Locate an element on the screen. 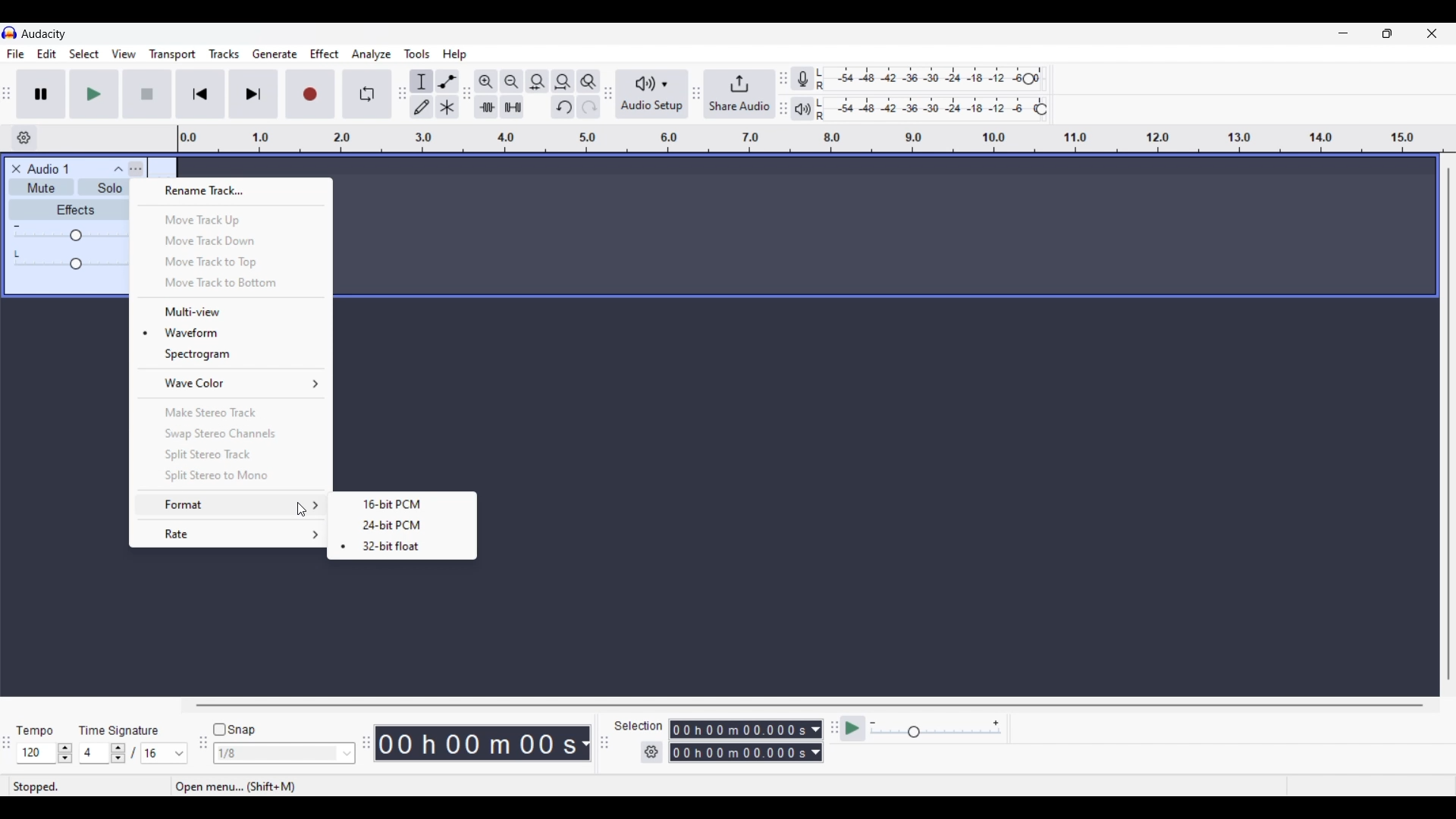  Timeline options is located at coordinates (24, 138).